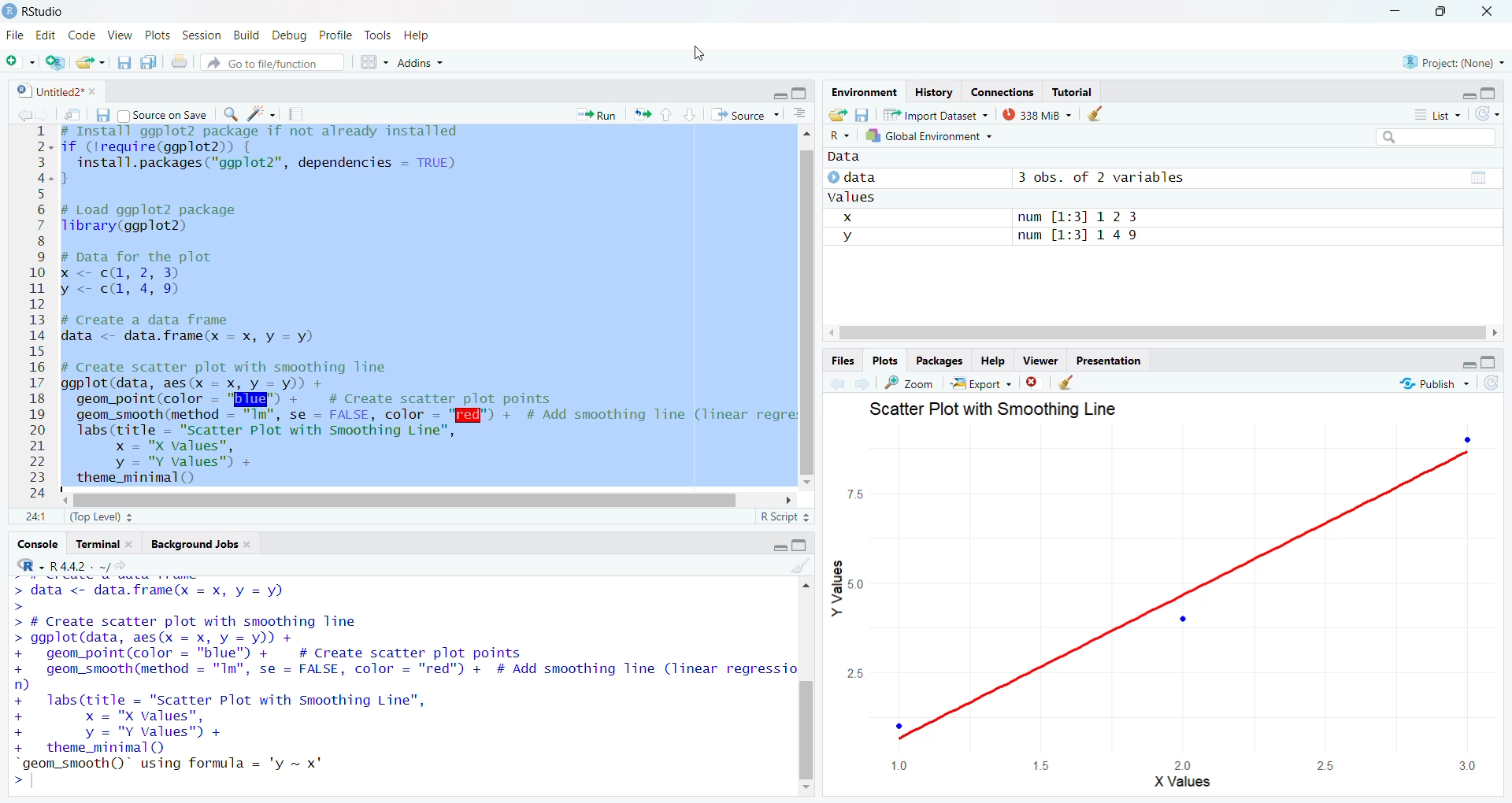 The width and height of the screenshot is (1512, 803). Describe the element at coordinates (1390, 12) in the screenshot. I see `minimize` at that location.